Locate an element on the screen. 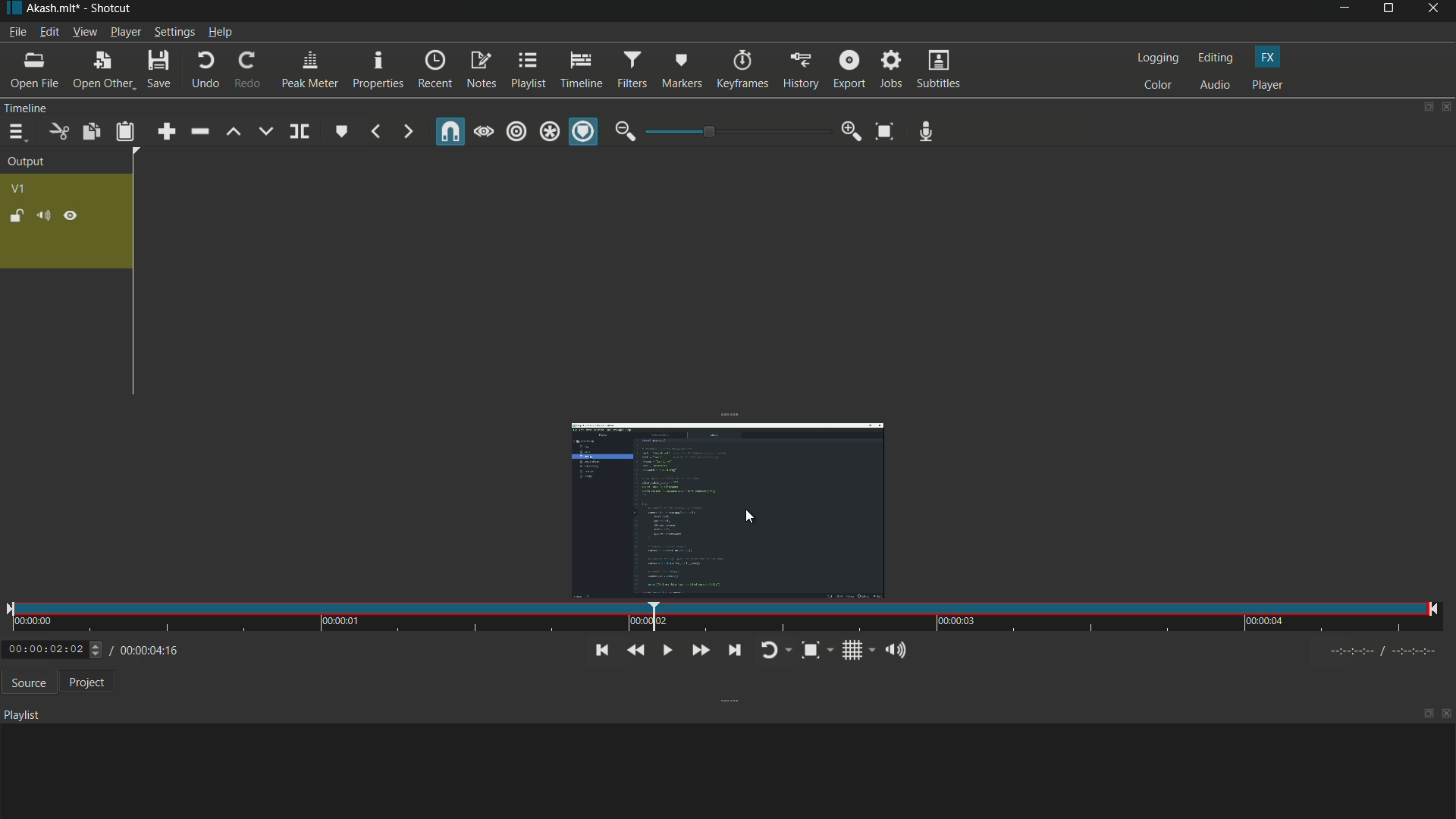 The image size is (1456, 819). copy is located at coordinates (90, 131).